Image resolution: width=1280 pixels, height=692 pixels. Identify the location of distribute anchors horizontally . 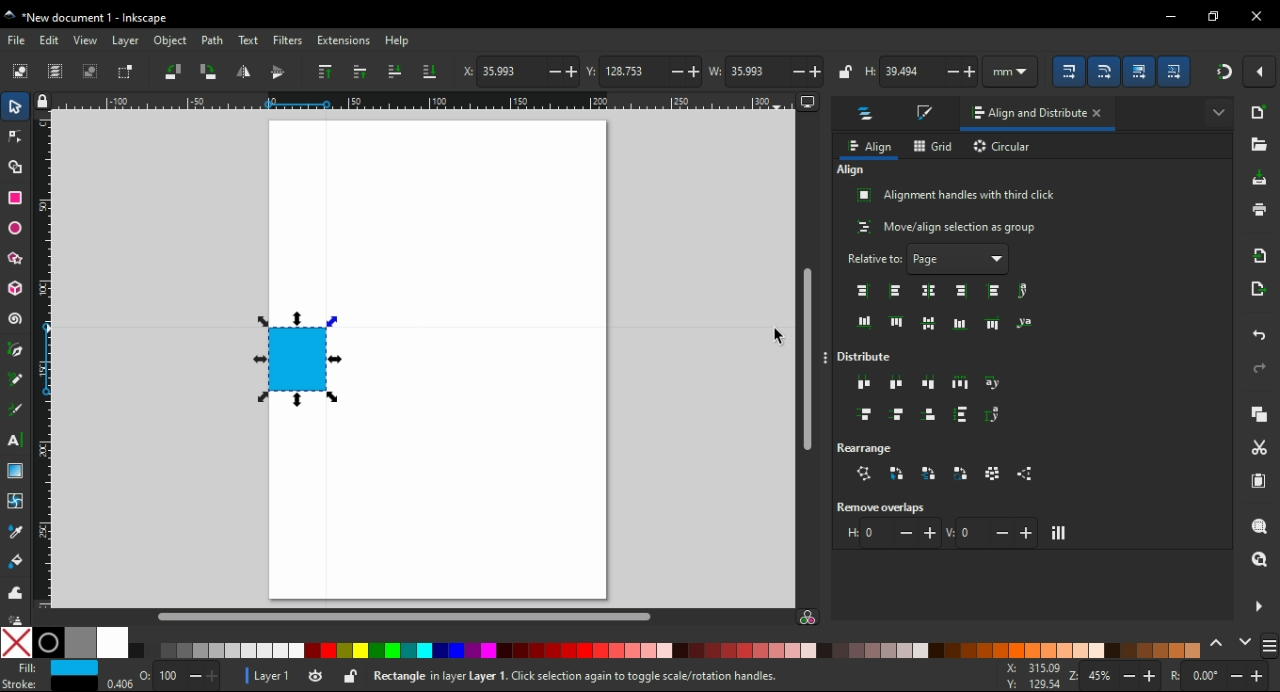
(995, 383).